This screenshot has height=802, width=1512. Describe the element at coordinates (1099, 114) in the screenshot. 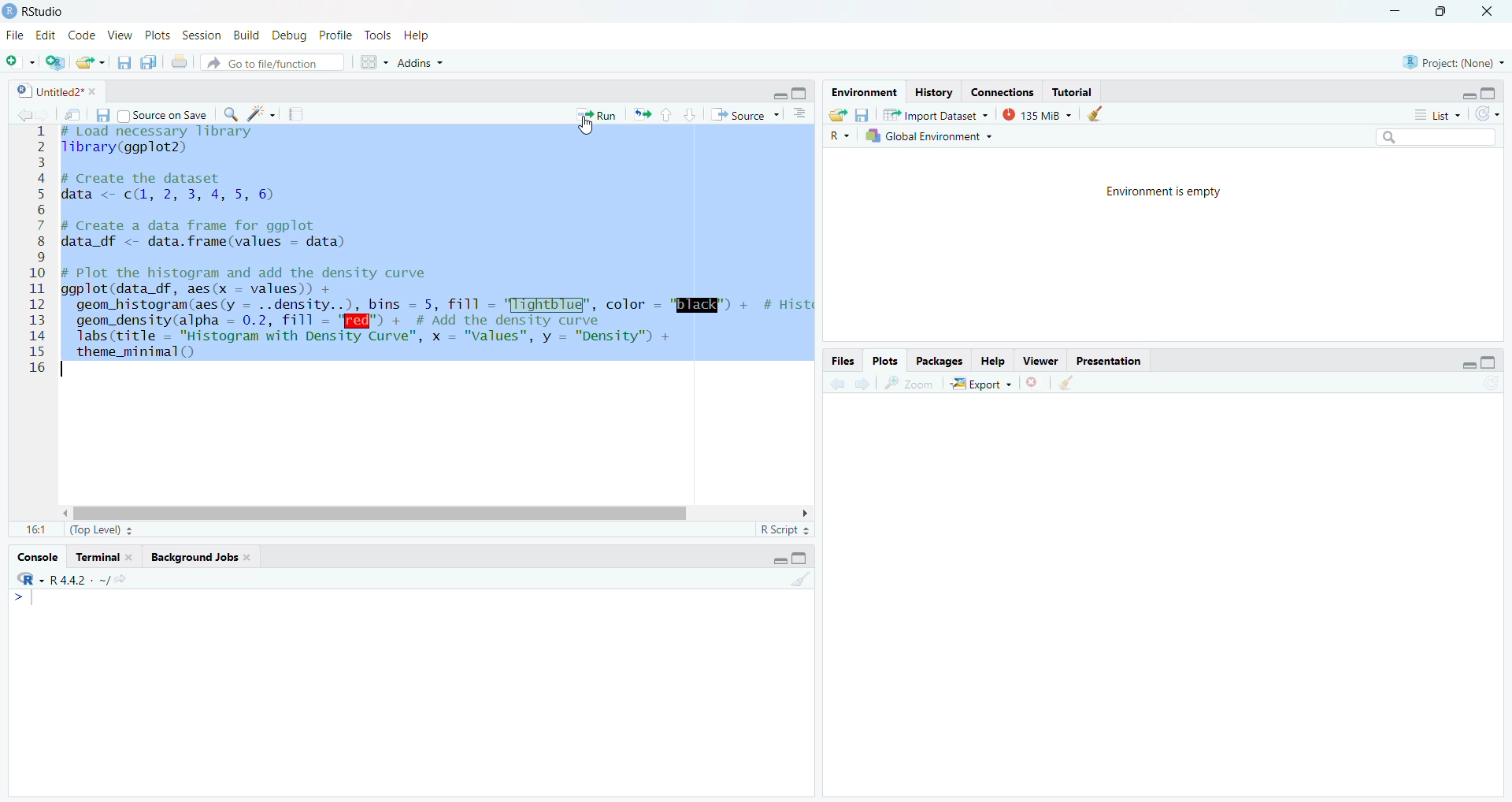

I see `clear objects from the workspace` at that location.